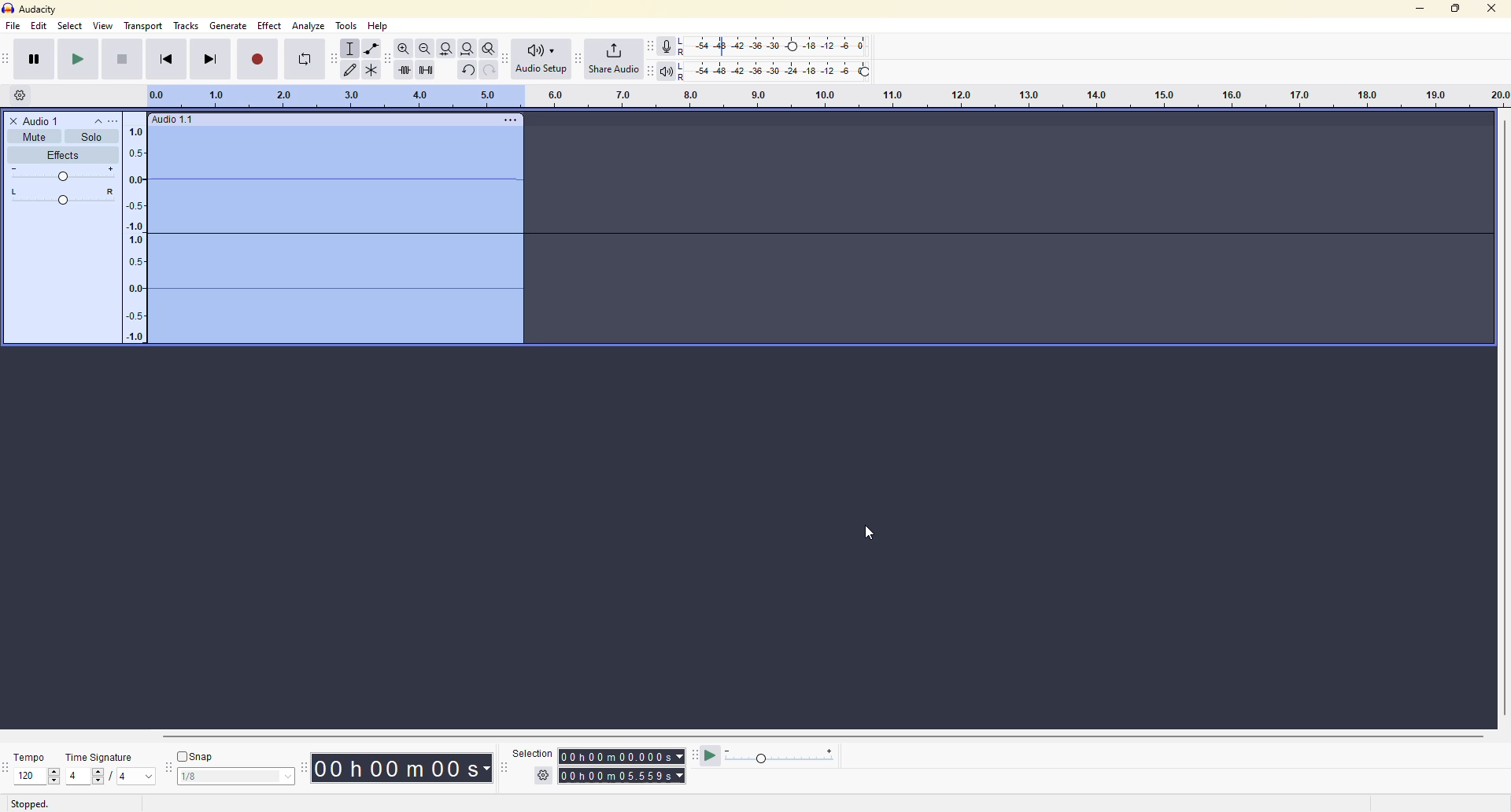 The width and height of the screenshot is (1511, 812). I want to click on solo, so click(91, 136).